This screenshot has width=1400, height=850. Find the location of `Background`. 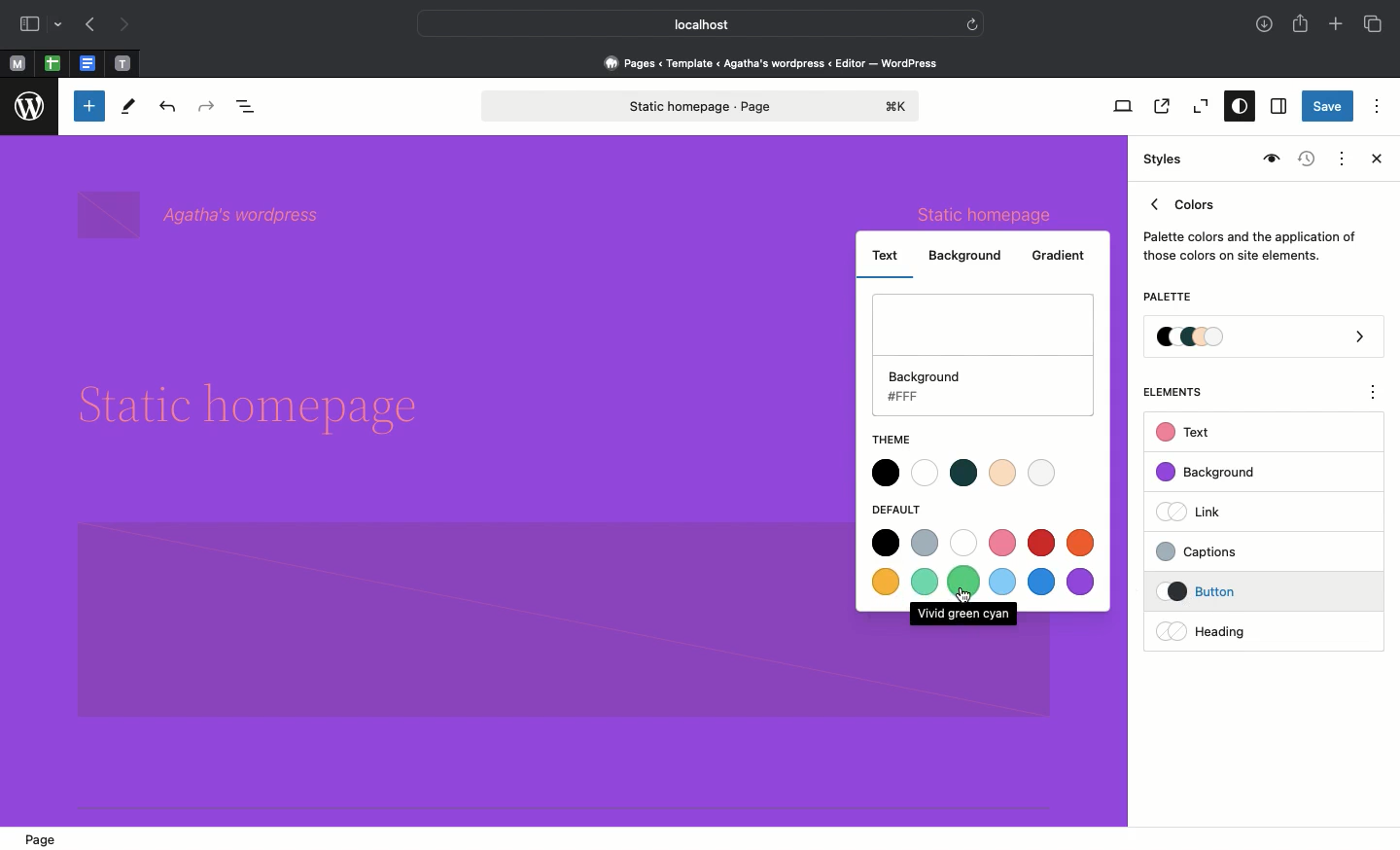

Background is located at coordinates (983, 357).